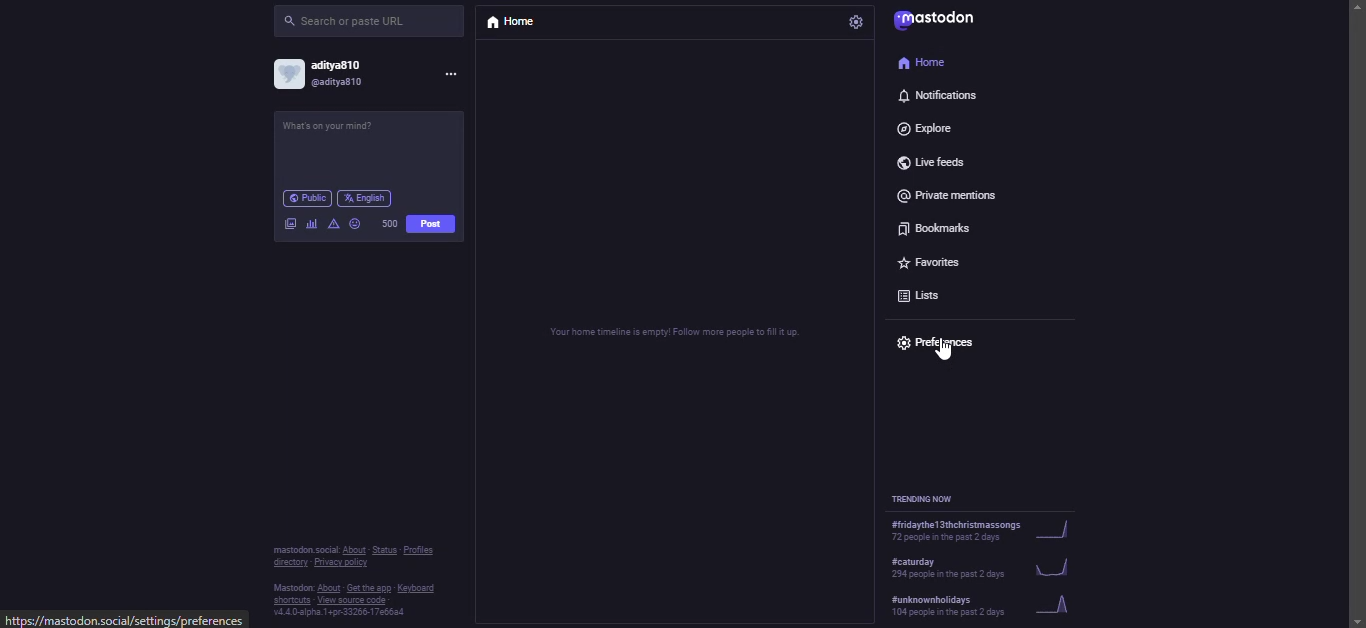 The image size is (1366, 628). I want to click on search, so click(347, 21).